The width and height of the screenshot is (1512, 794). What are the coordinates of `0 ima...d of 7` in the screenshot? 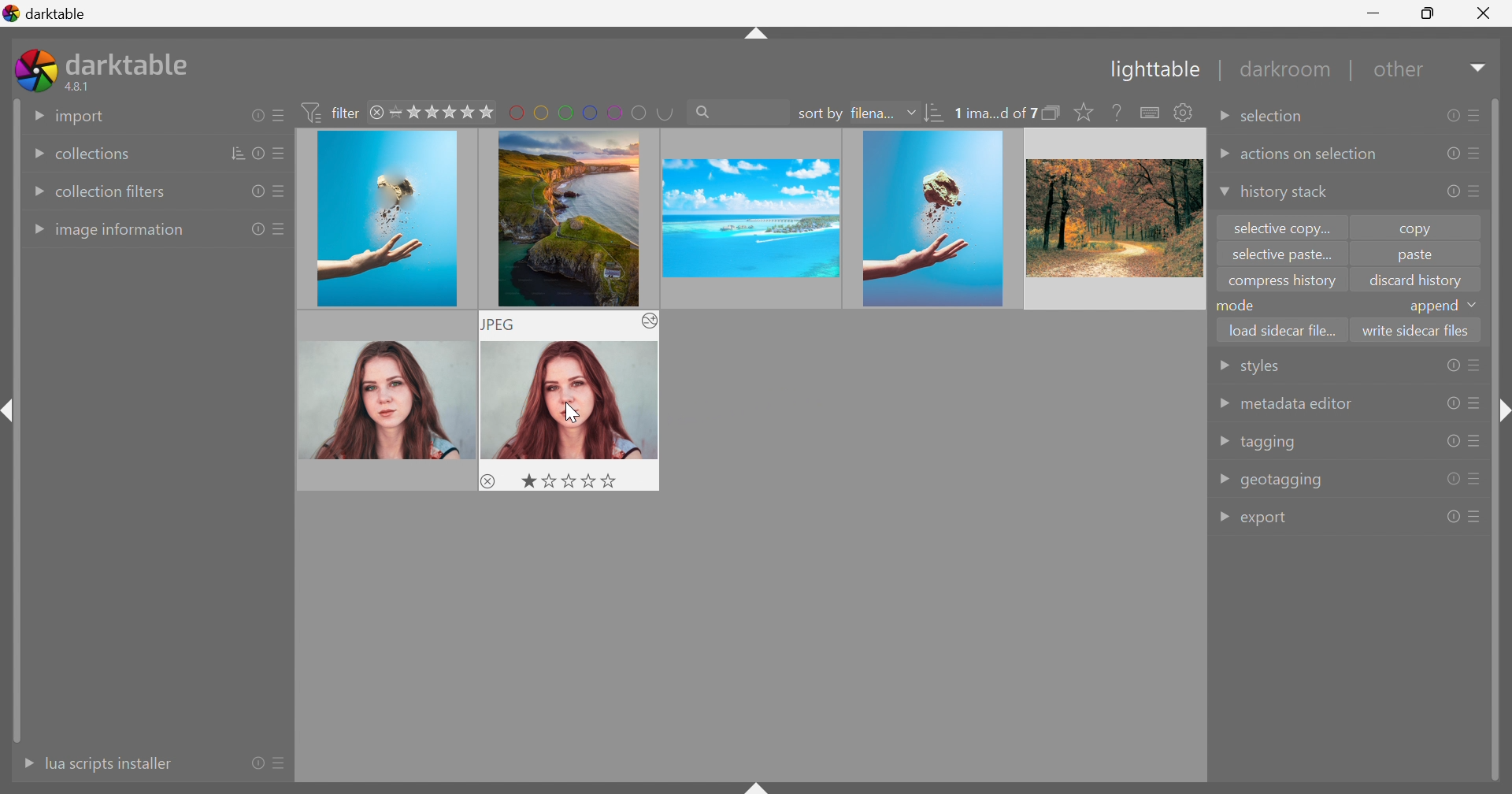 It's located at (995, 113).